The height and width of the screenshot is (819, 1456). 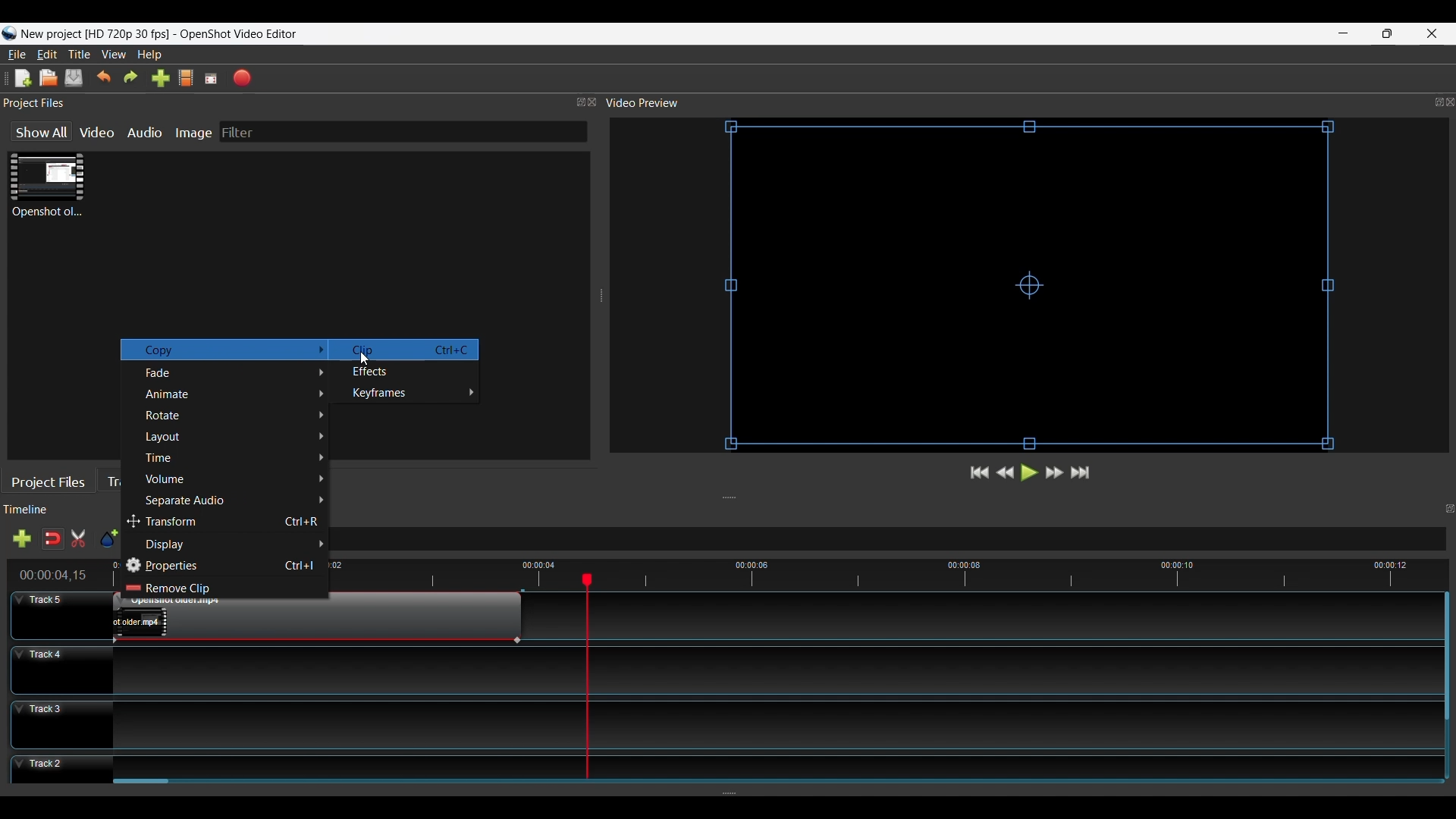 What do you see at coordinates (160, 77) in the screenshot?
I see `Import Files` at bounding box center [160, 77].